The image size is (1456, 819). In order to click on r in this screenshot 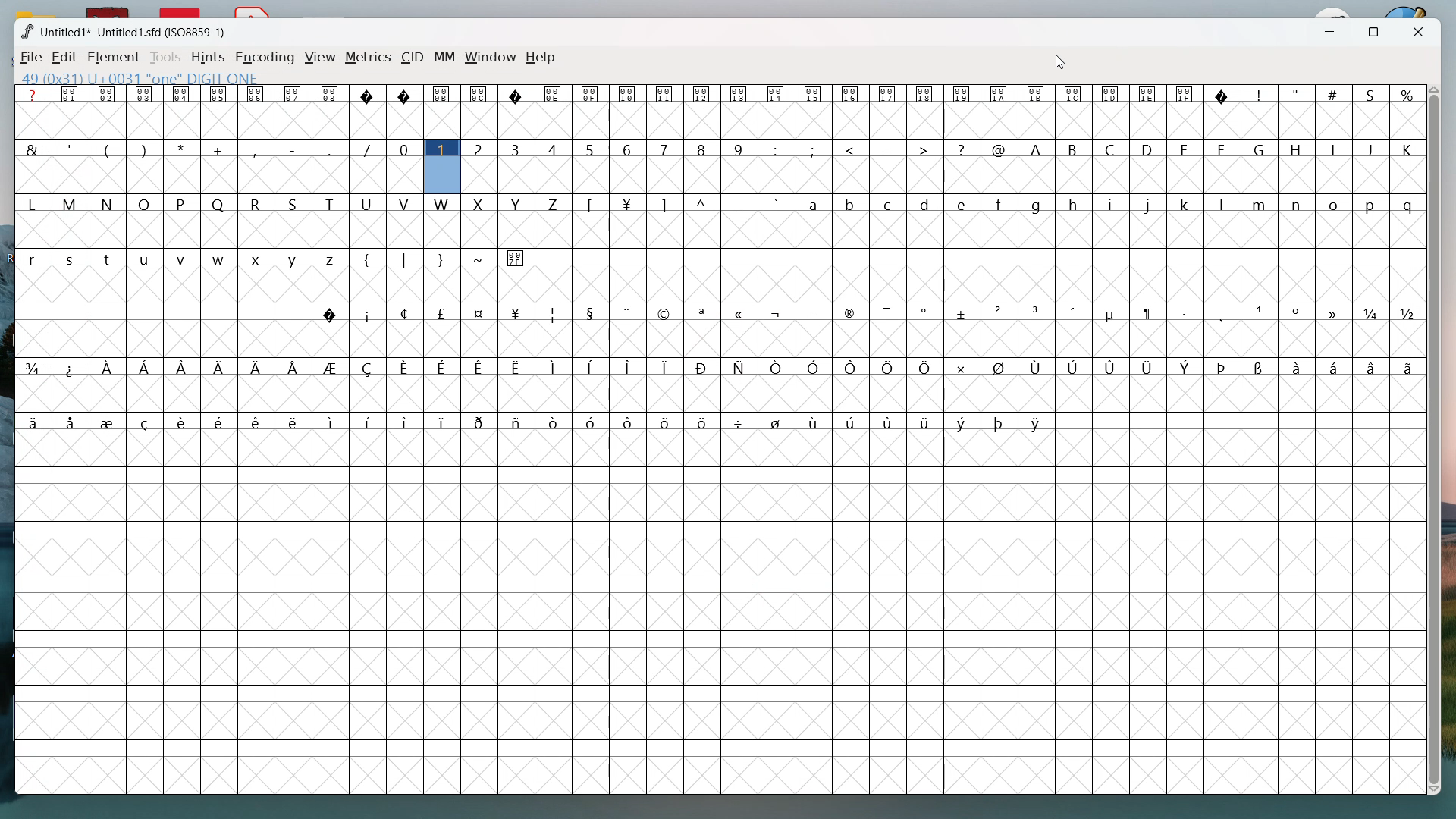, I will do `click(33, 257)`.